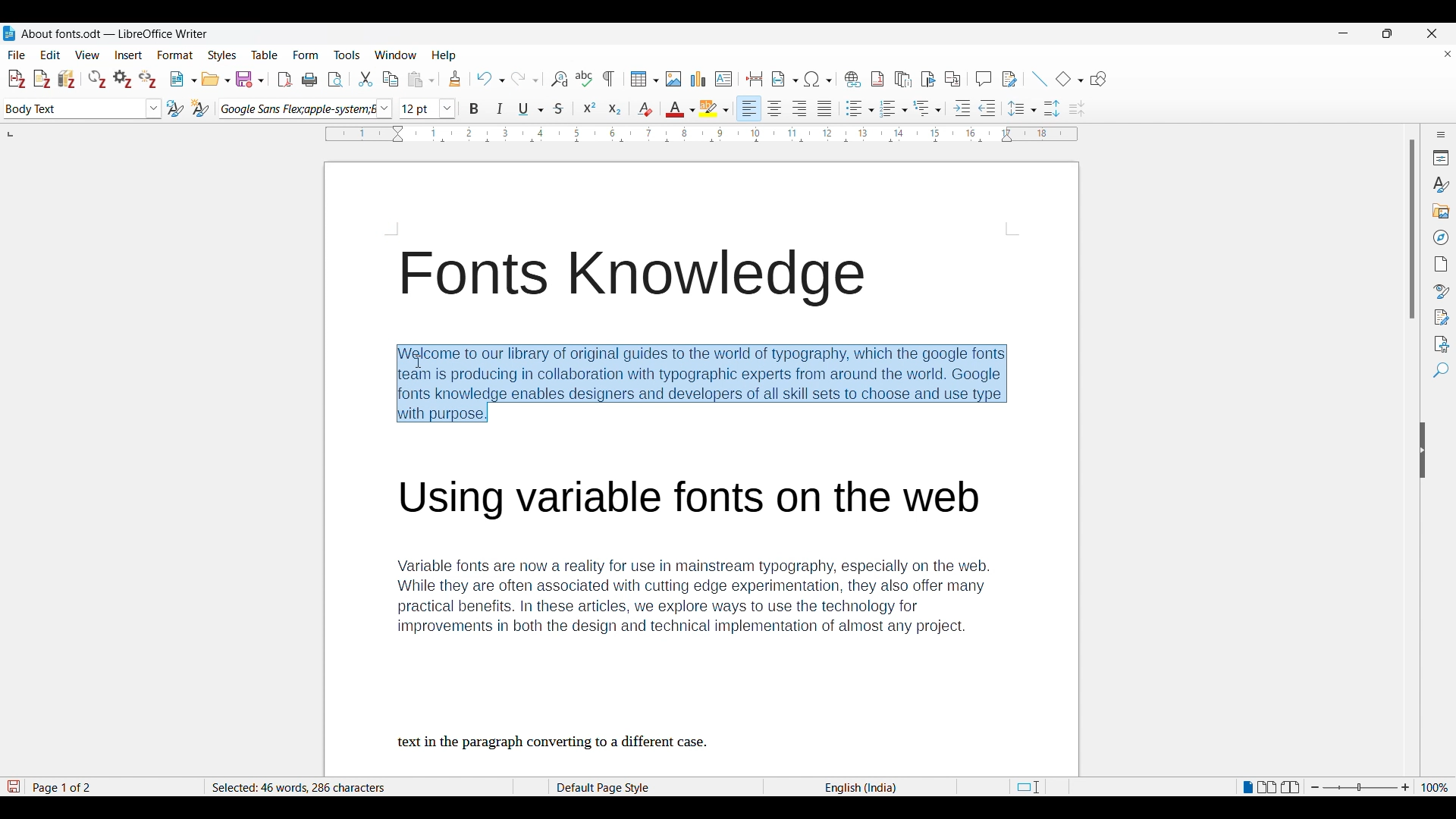 The image size is (1456, 819). I want to click on Manage changes, so click(1442, 318).